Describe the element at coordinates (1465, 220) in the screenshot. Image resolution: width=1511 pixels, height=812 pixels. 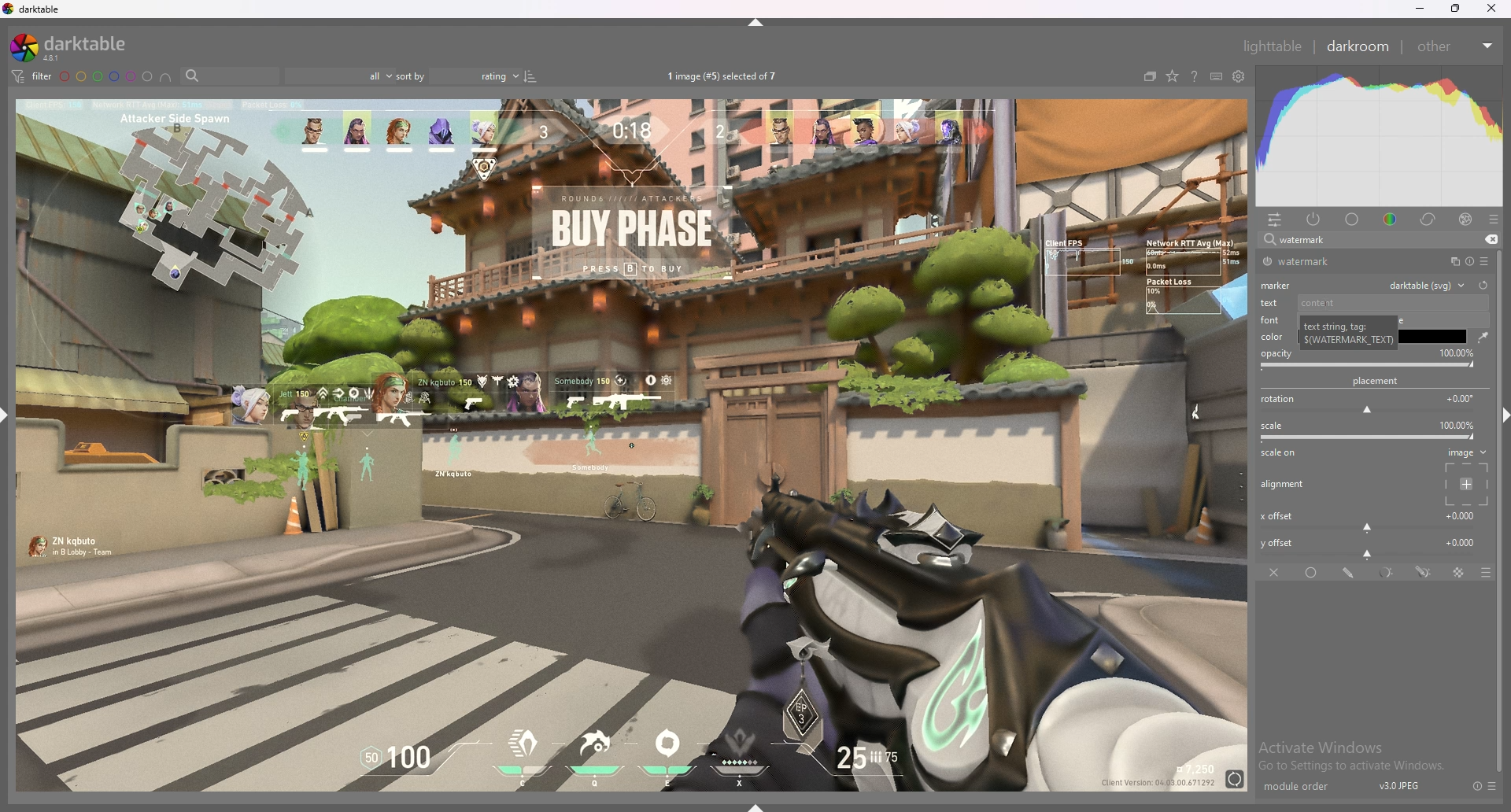
I see `effect` at that location.